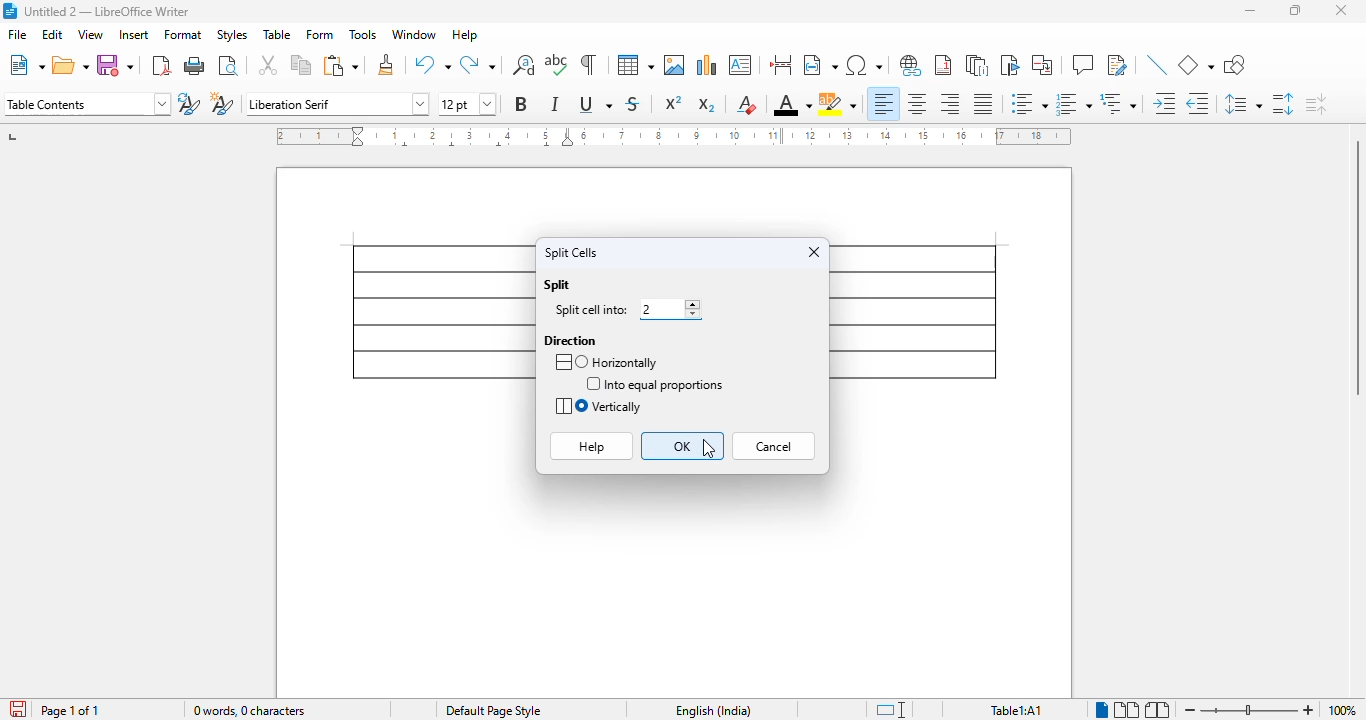 Image resolution: width=1366 pixels, height=720 pixels. I want to click on insert cross-reference, so click(1041, 64).